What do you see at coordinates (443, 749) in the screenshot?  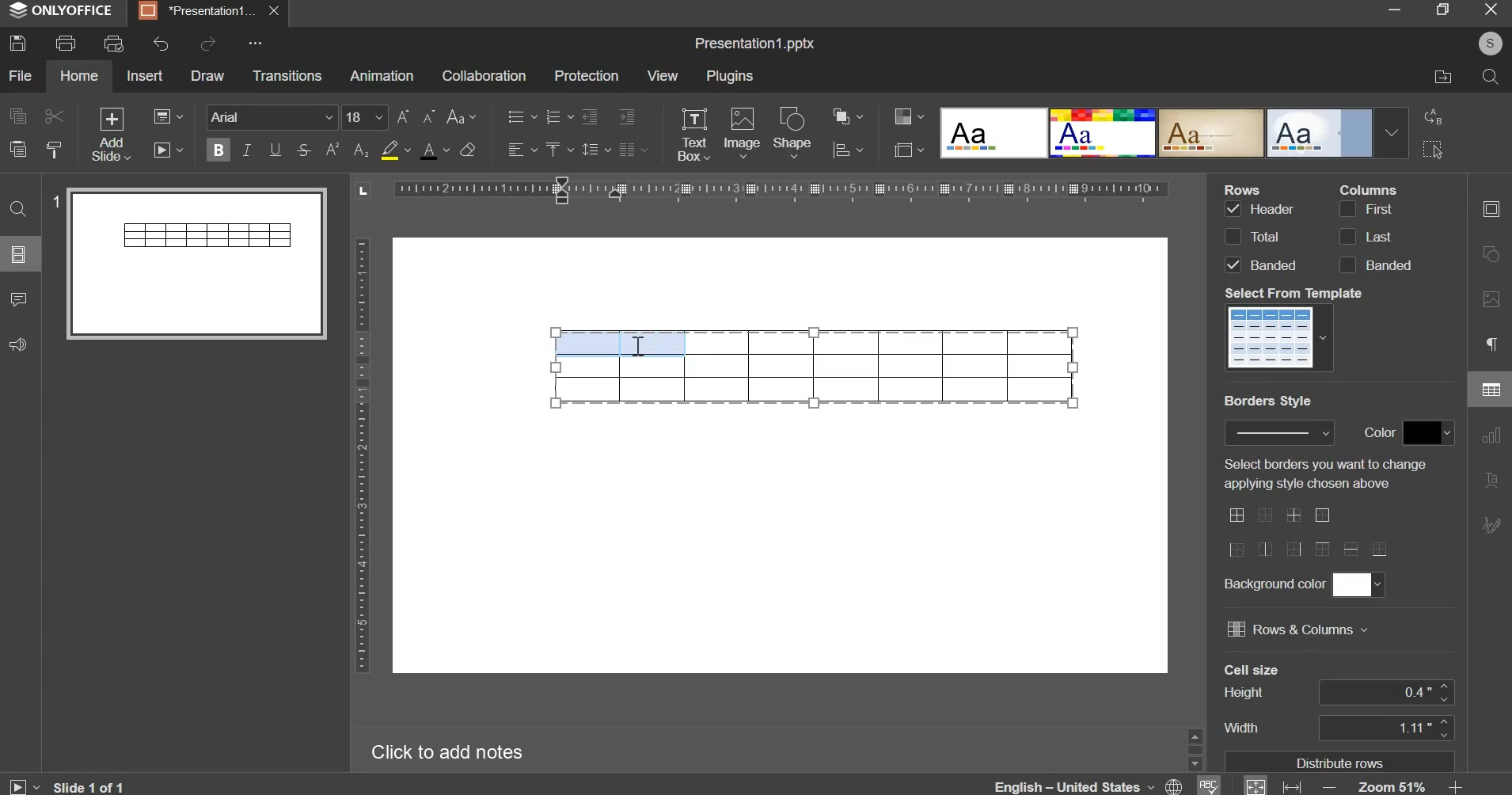 I see `Click to add notes` at bounding box center [443, 749].